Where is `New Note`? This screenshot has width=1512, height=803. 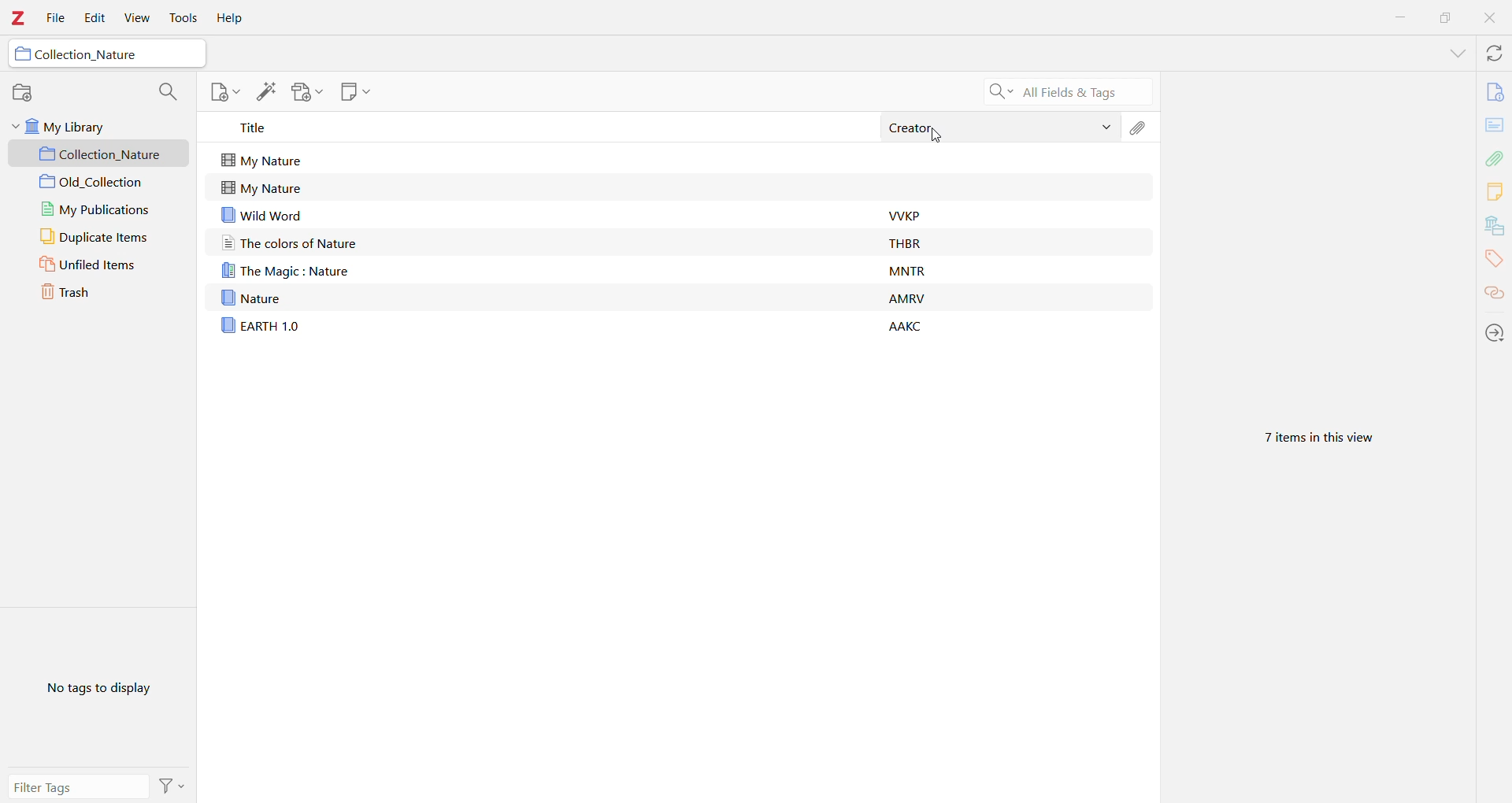
New Note is located at coordinates (357, 92).